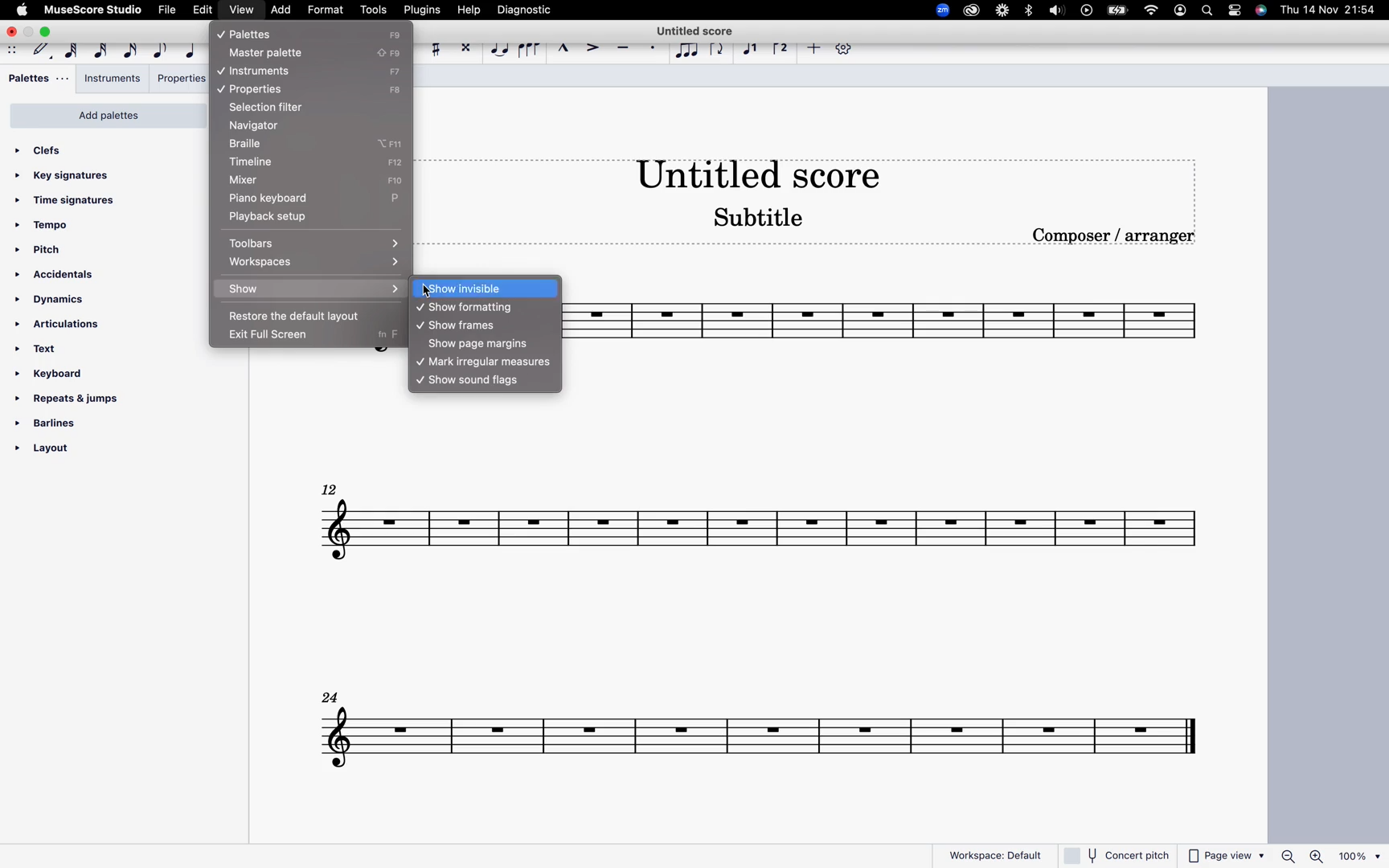  What do you see at coordinates (1317, 855) in the screenshot?
I see `zoom in` at bounding box center [1317, 855].